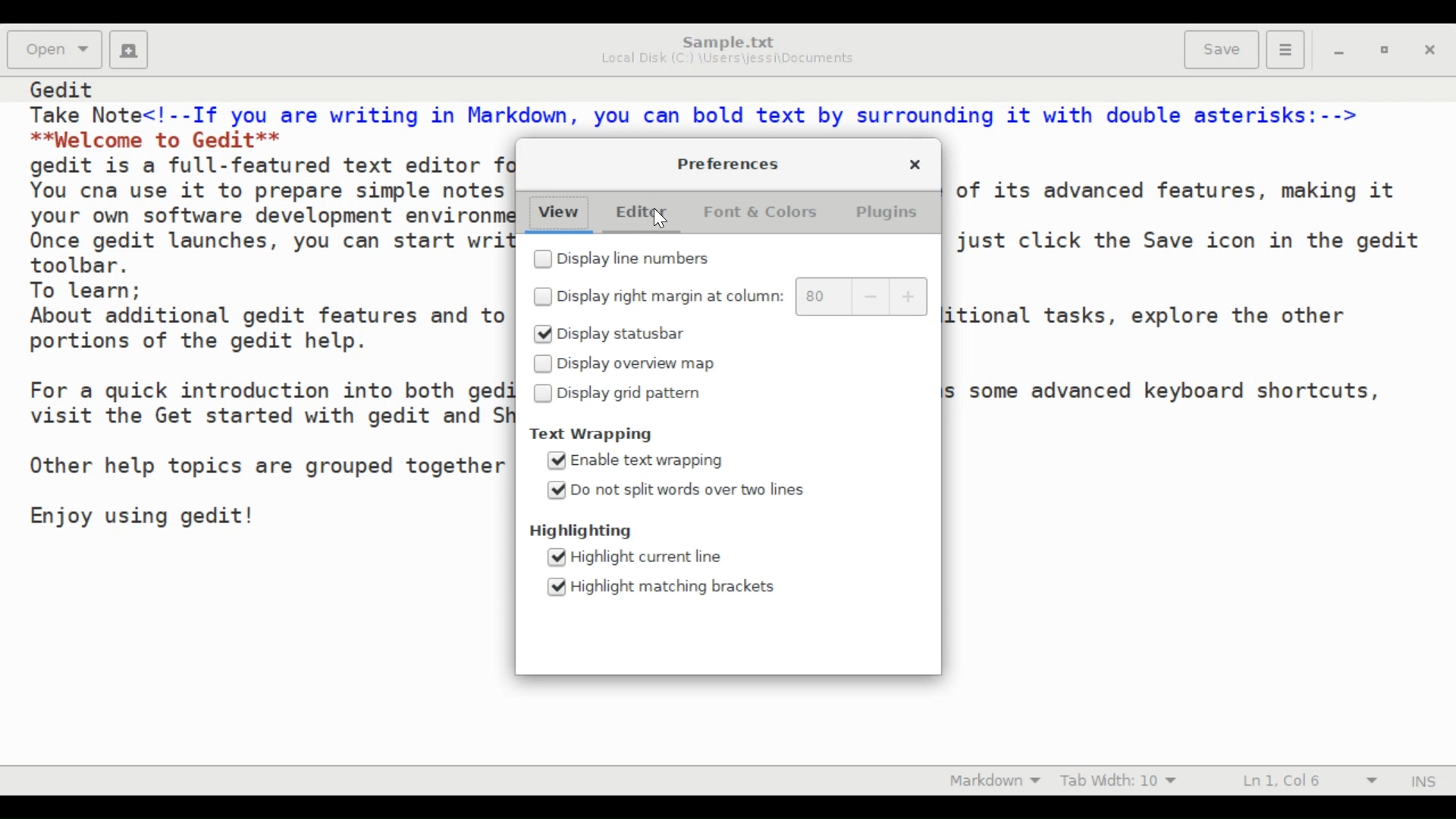 The width and height of the screenshot is (1456, 819). Describe the element at coordinates (629, 364) in the screenshot. I see `(un)select Display overview map` at that location.